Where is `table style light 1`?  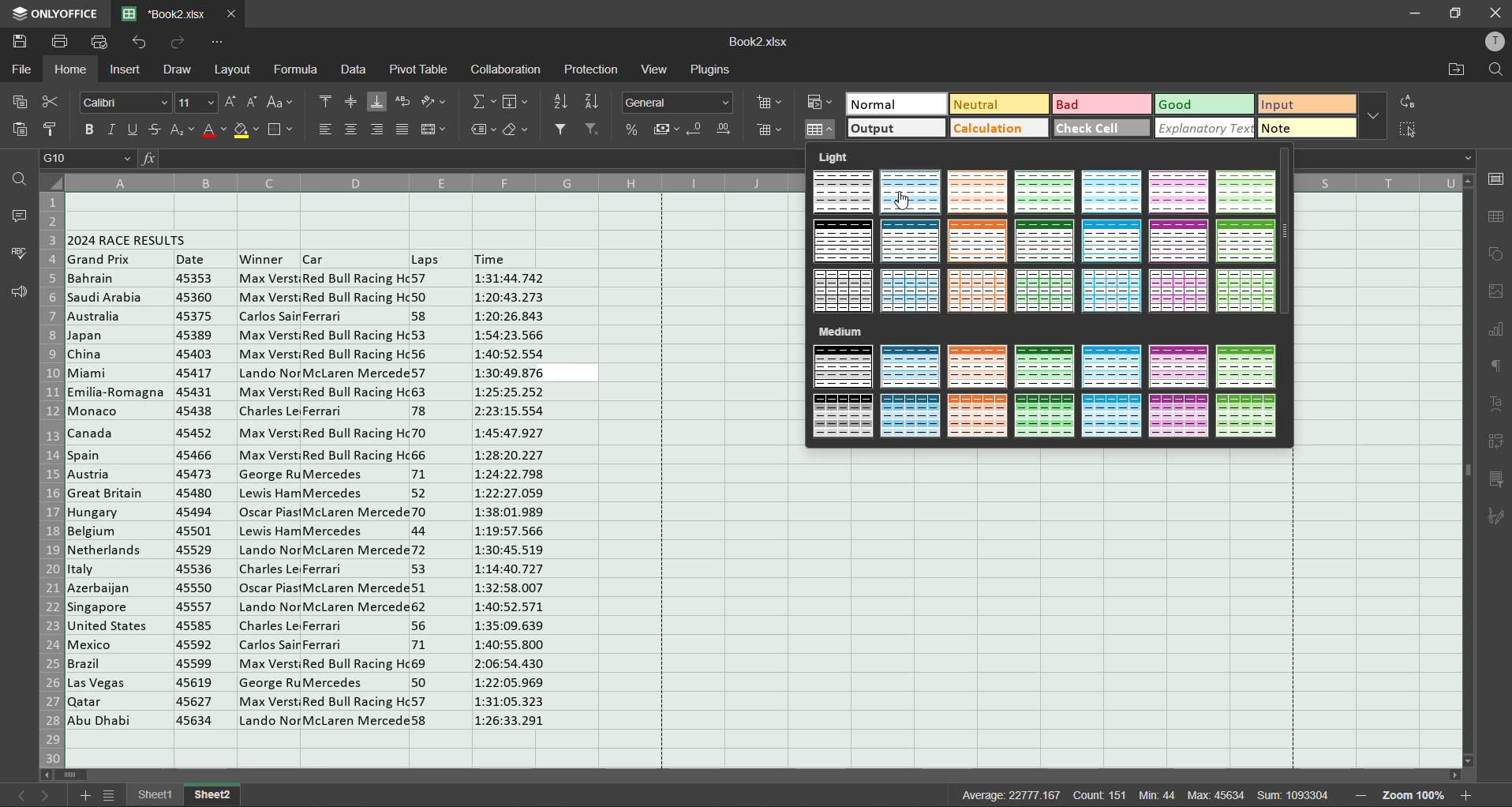 table style light 1 is located at coordinates (843, 193).